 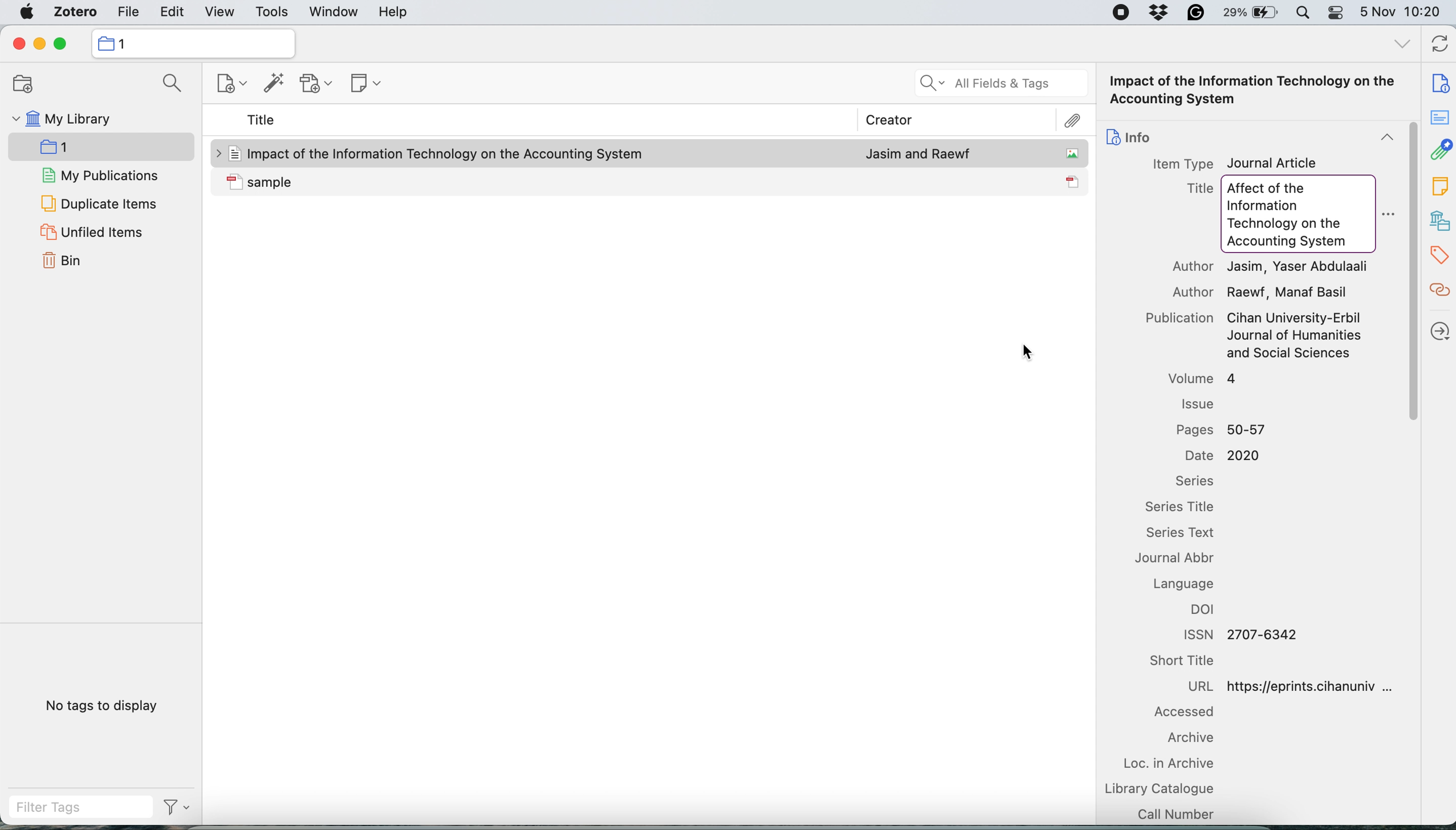 I want to click on call number, so click(x=1179, y=813).